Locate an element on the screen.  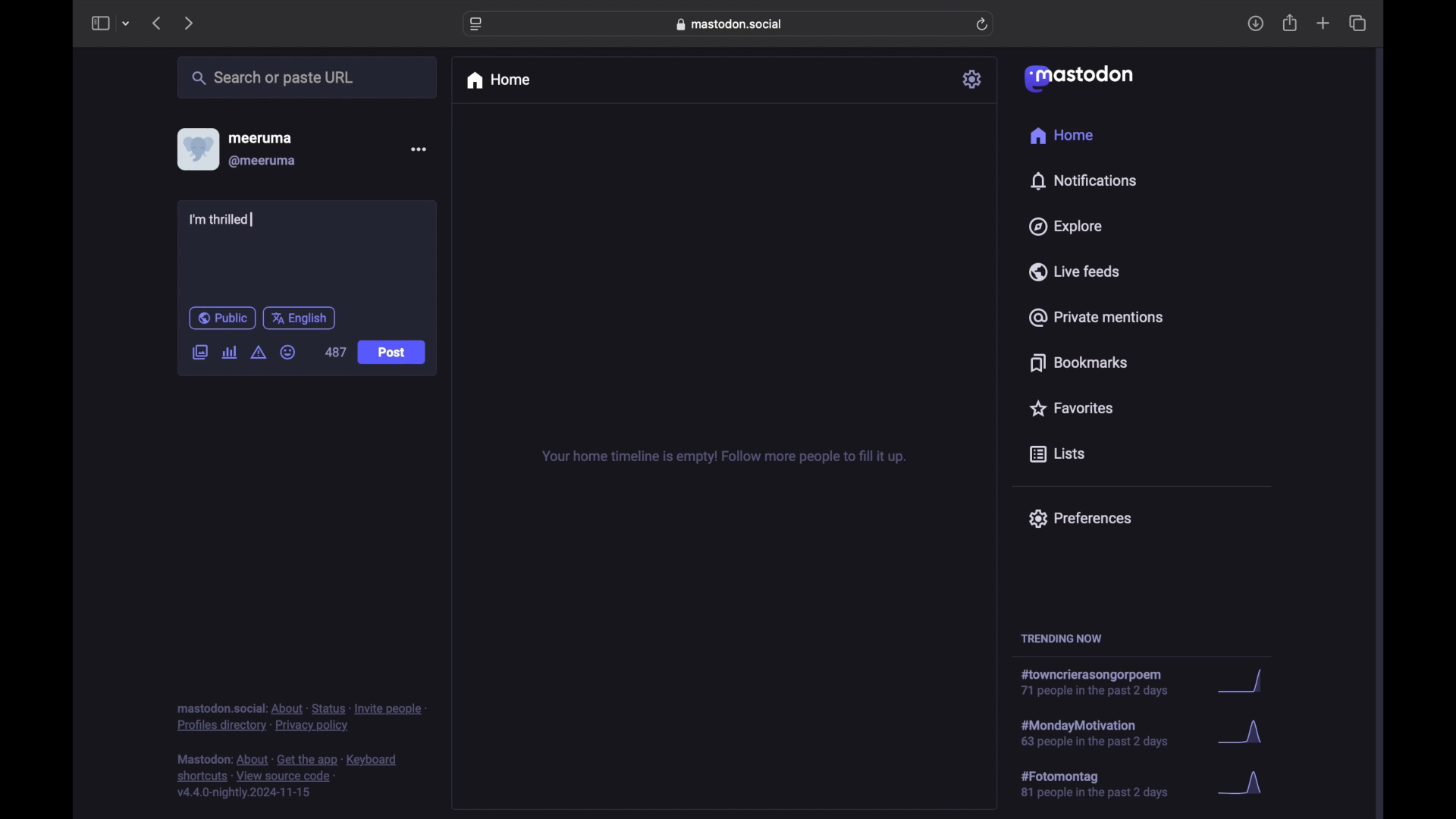
public is located at coordinates (222, 318).